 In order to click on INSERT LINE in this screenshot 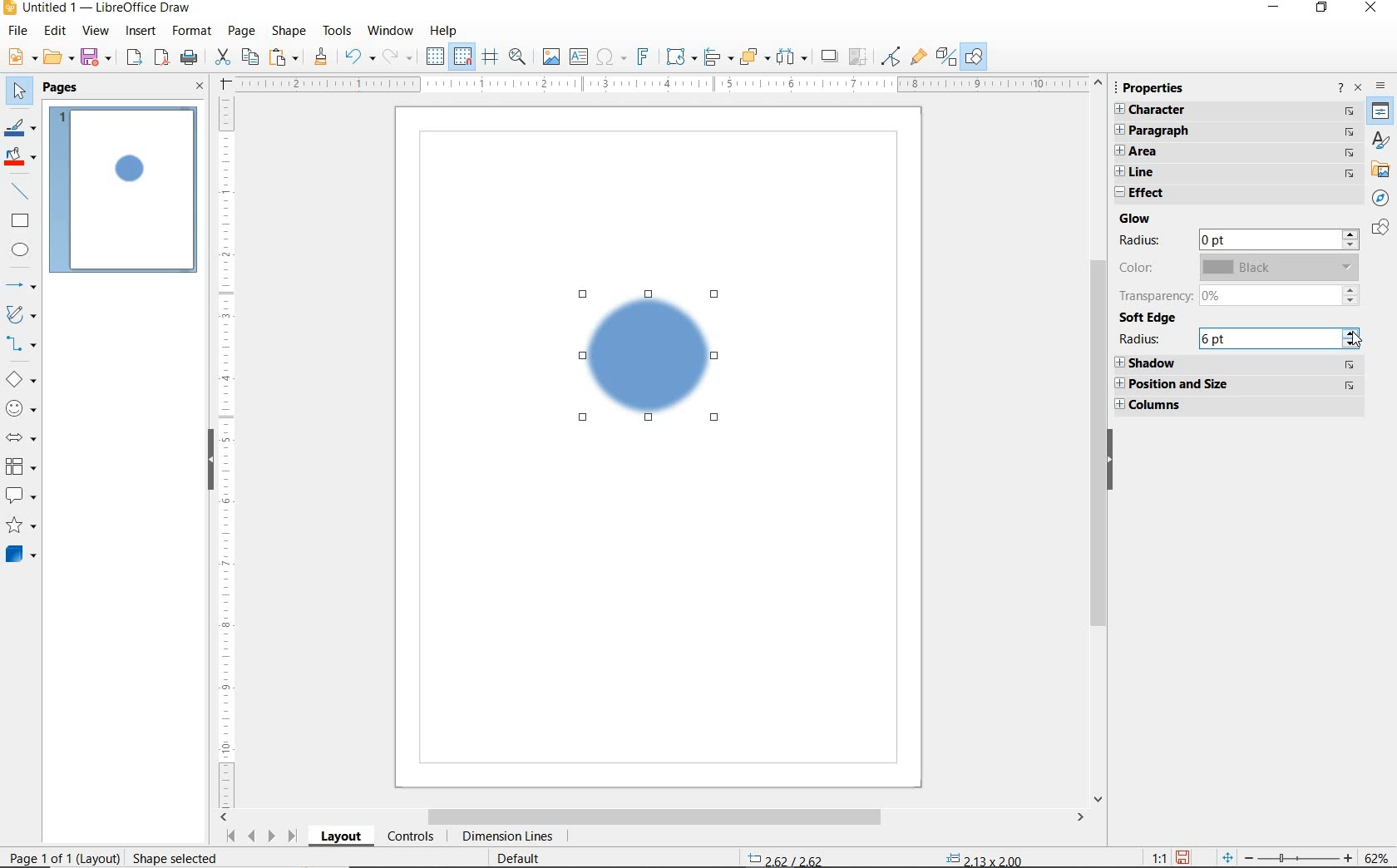, I will do `click(24, 190)`.